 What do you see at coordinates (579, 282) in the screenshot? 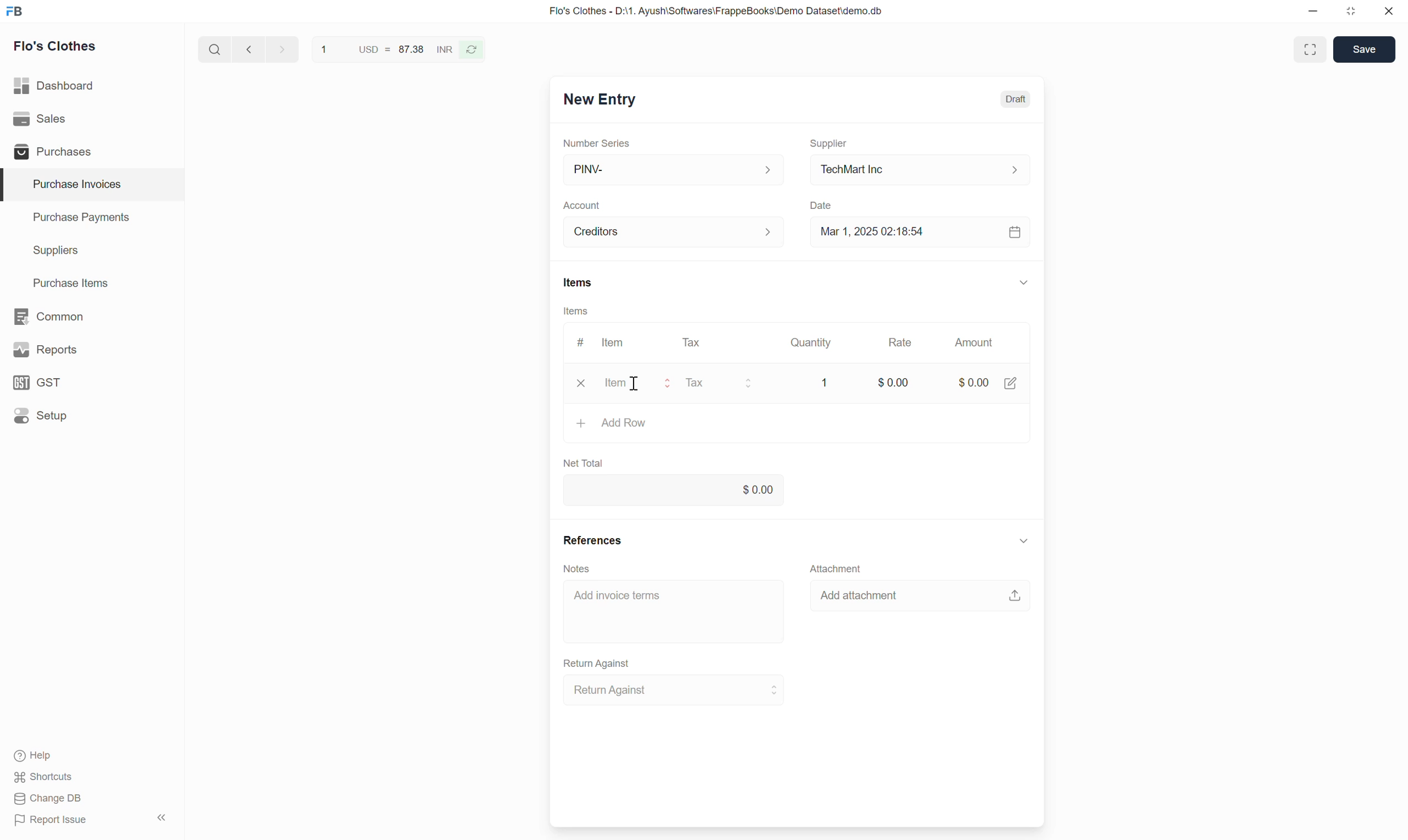
I see `Items` at bounding box center [579, 282].